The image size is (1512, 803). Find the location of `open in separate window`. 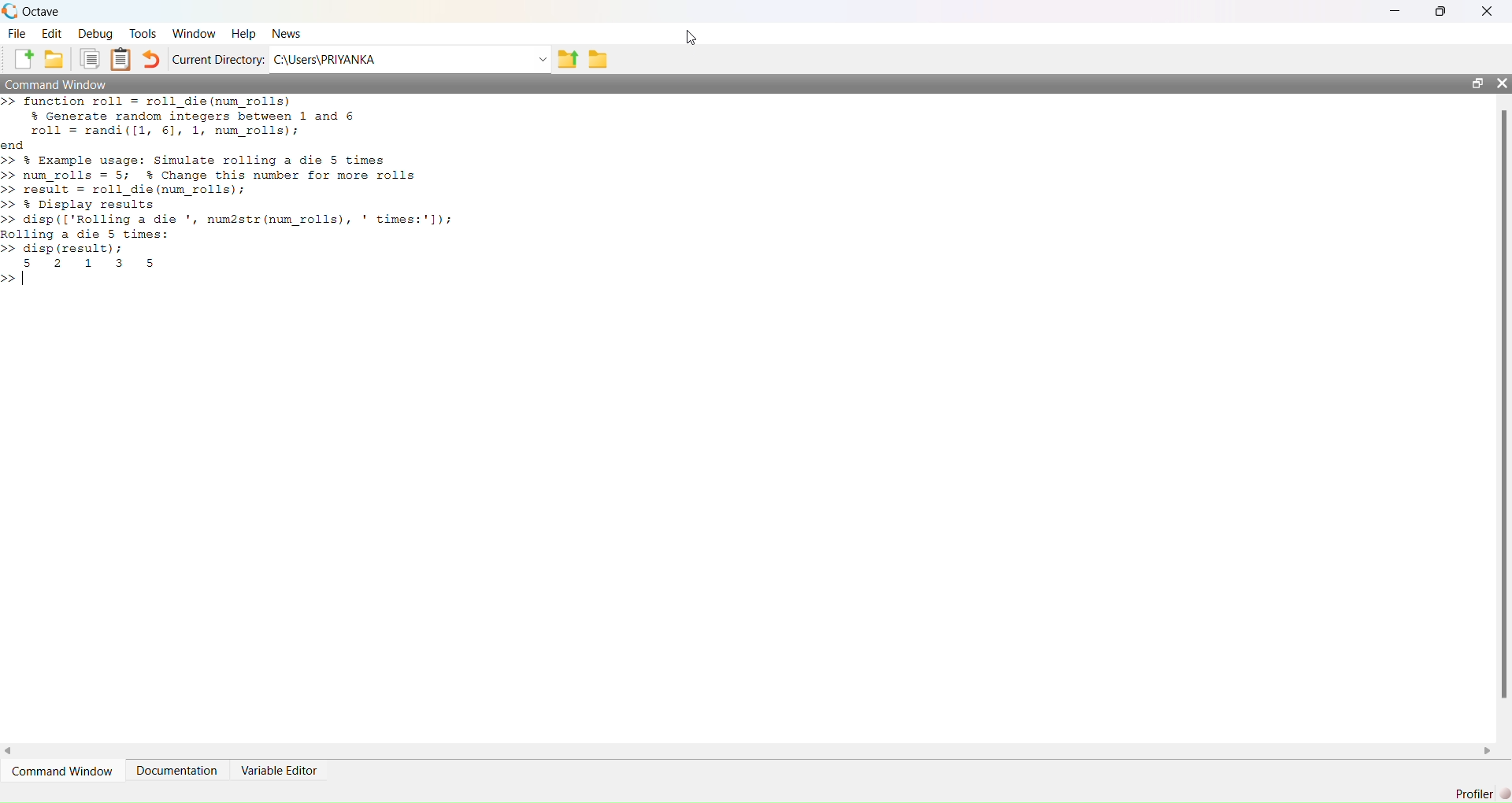

open in separate window is located at coordinates (1478, 83).